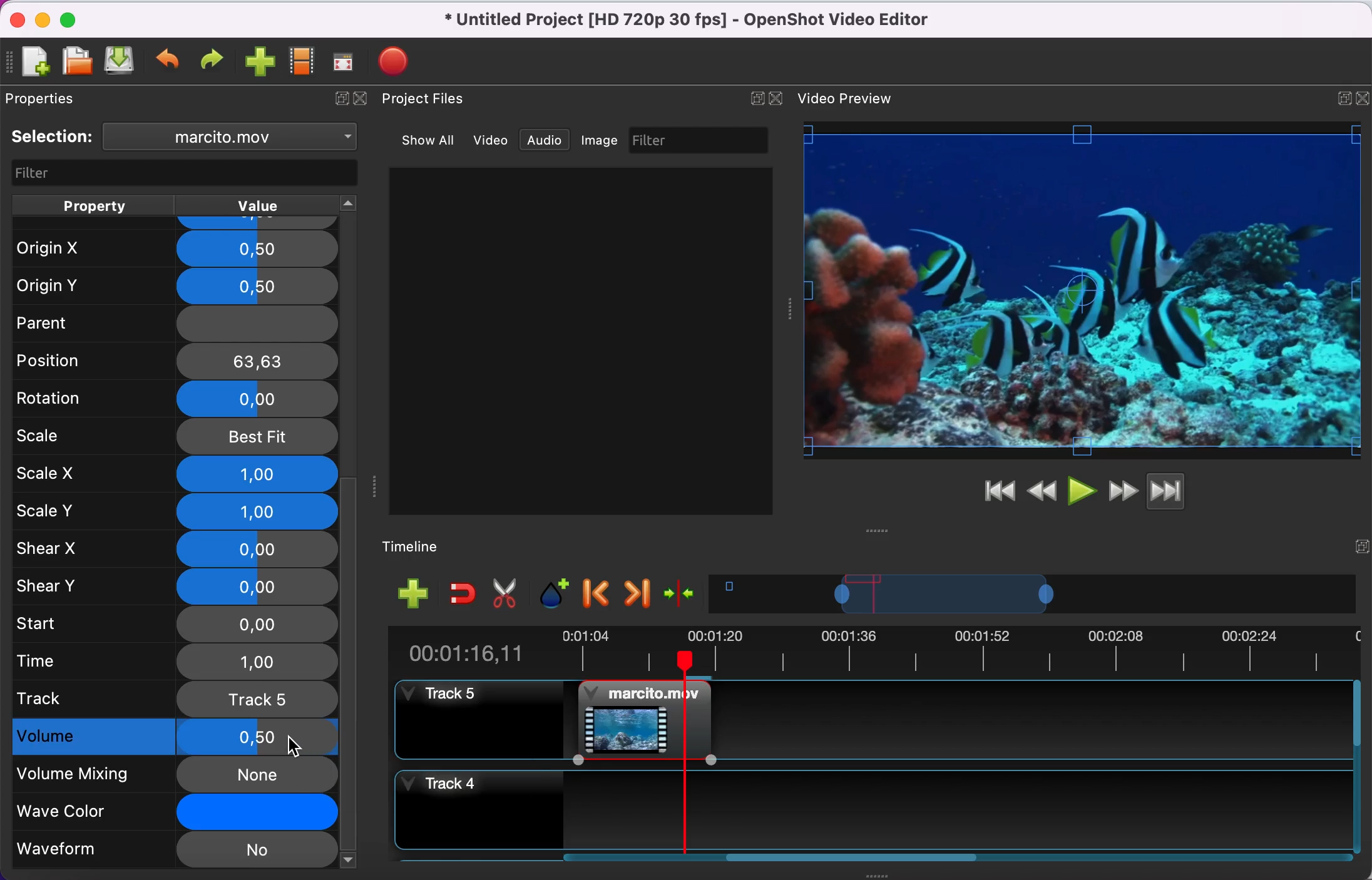 The width and height of the screenshot is (1372, 880). I want to click on timelime, so click(421, 546).